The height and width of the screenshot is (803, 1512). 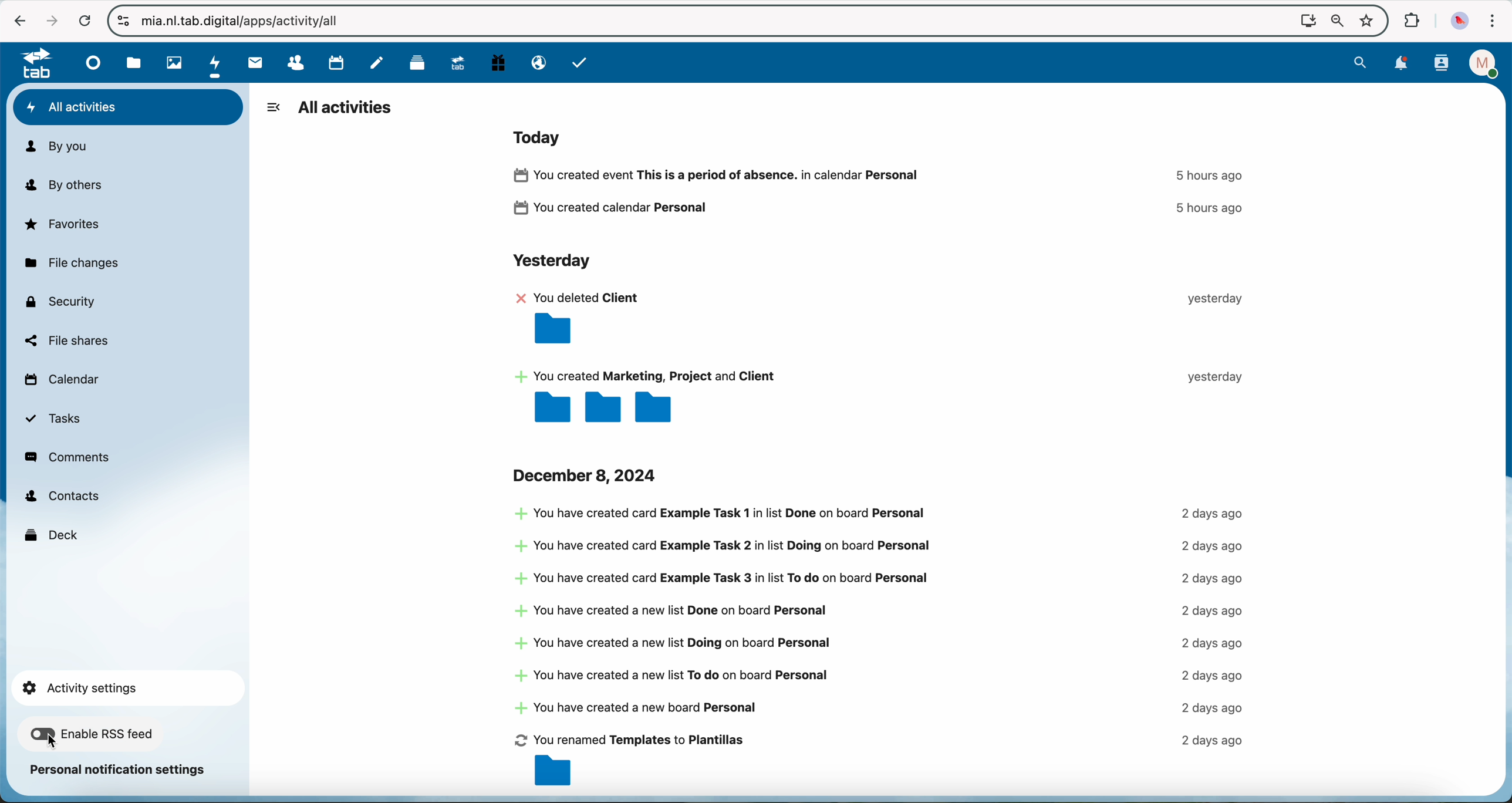 What do you see at coordinates (216, 63) in the screenshot?
I see `click on activity` at bounding box center [216, 63].